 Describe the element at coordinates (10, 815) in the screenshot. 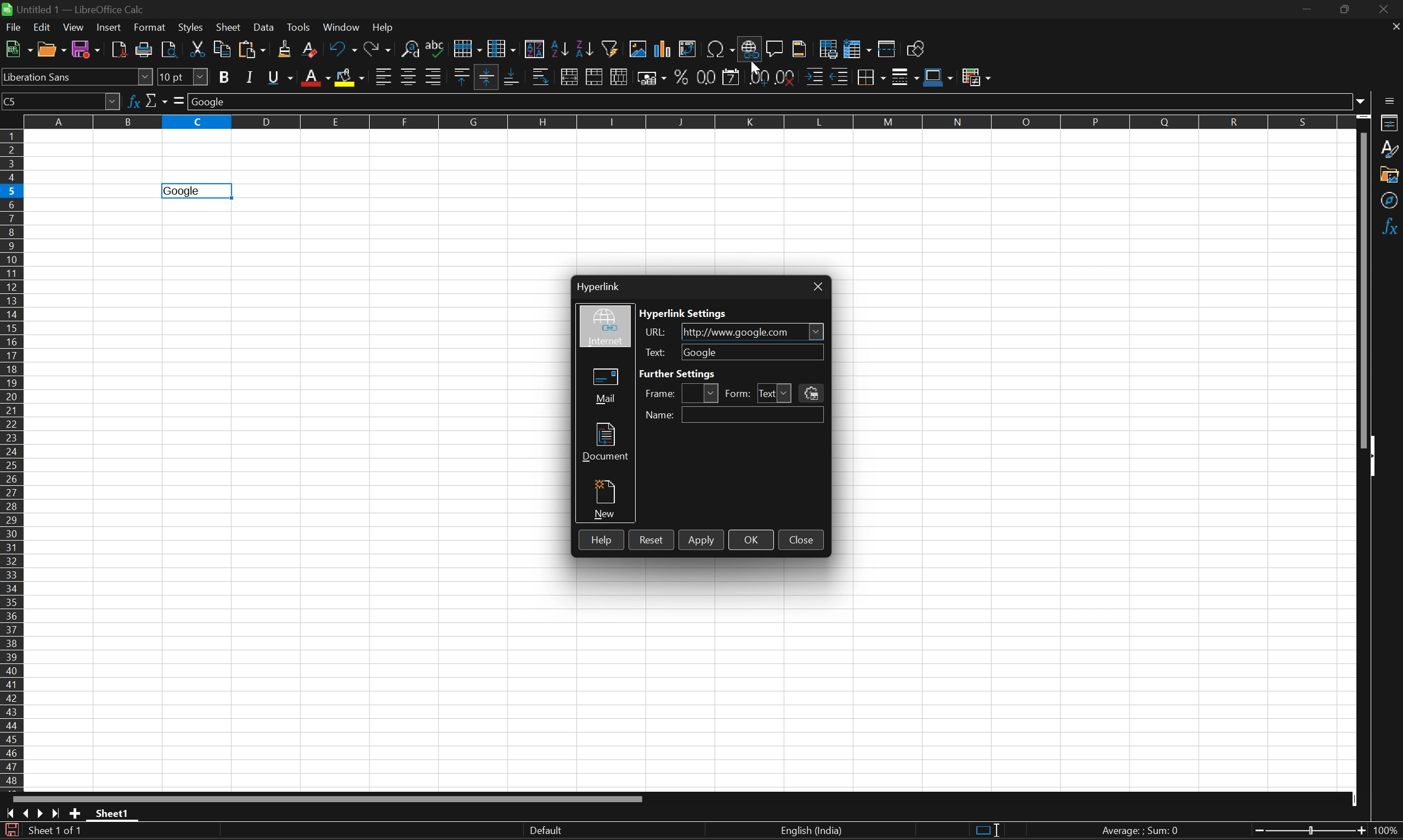

I see `Scroll to first sheet` at that location.